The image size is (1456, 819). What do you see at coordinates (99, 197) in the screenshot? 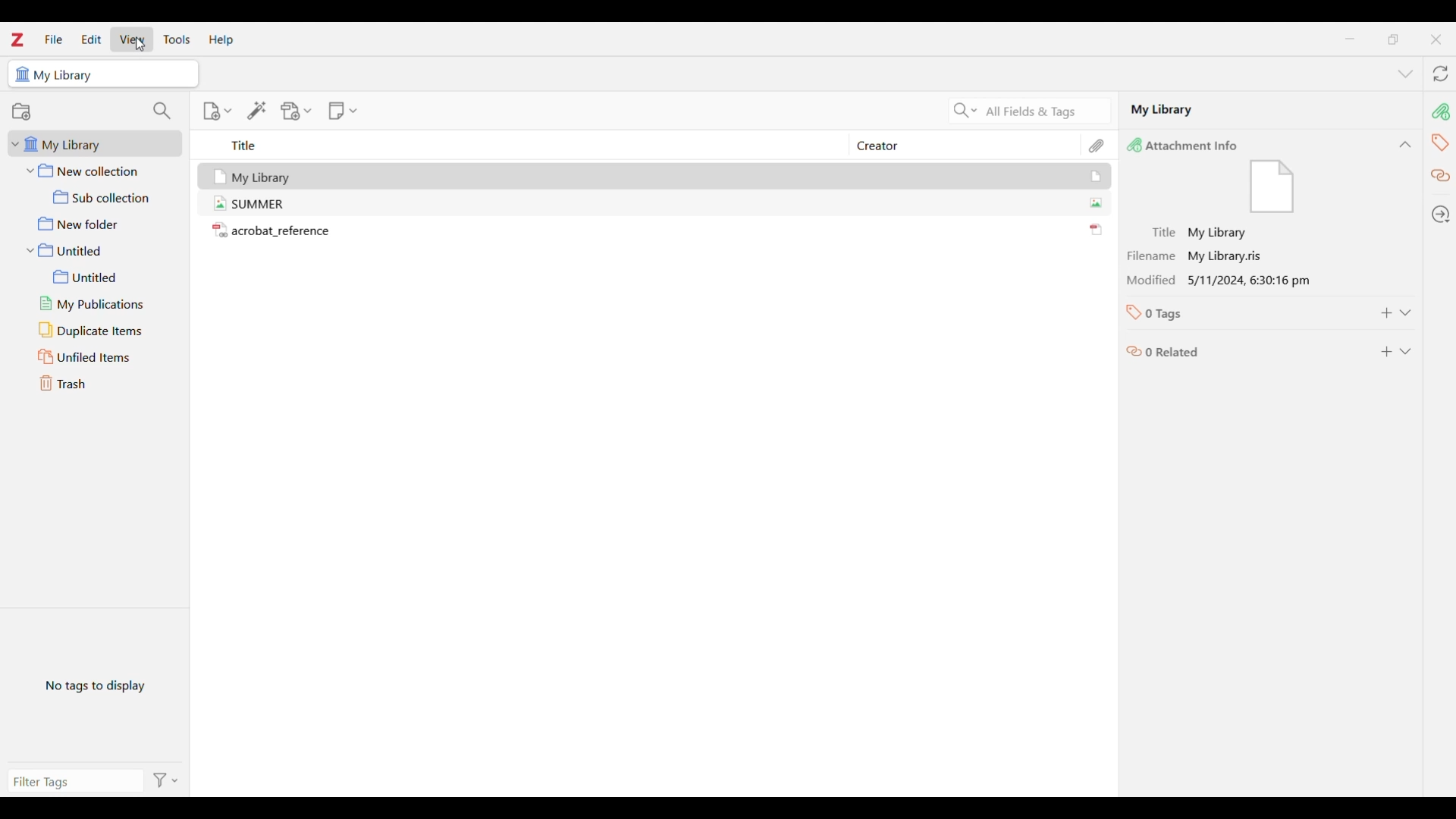
I see `Sub collection folder under New collection folder` at bounding box center [99, 197].